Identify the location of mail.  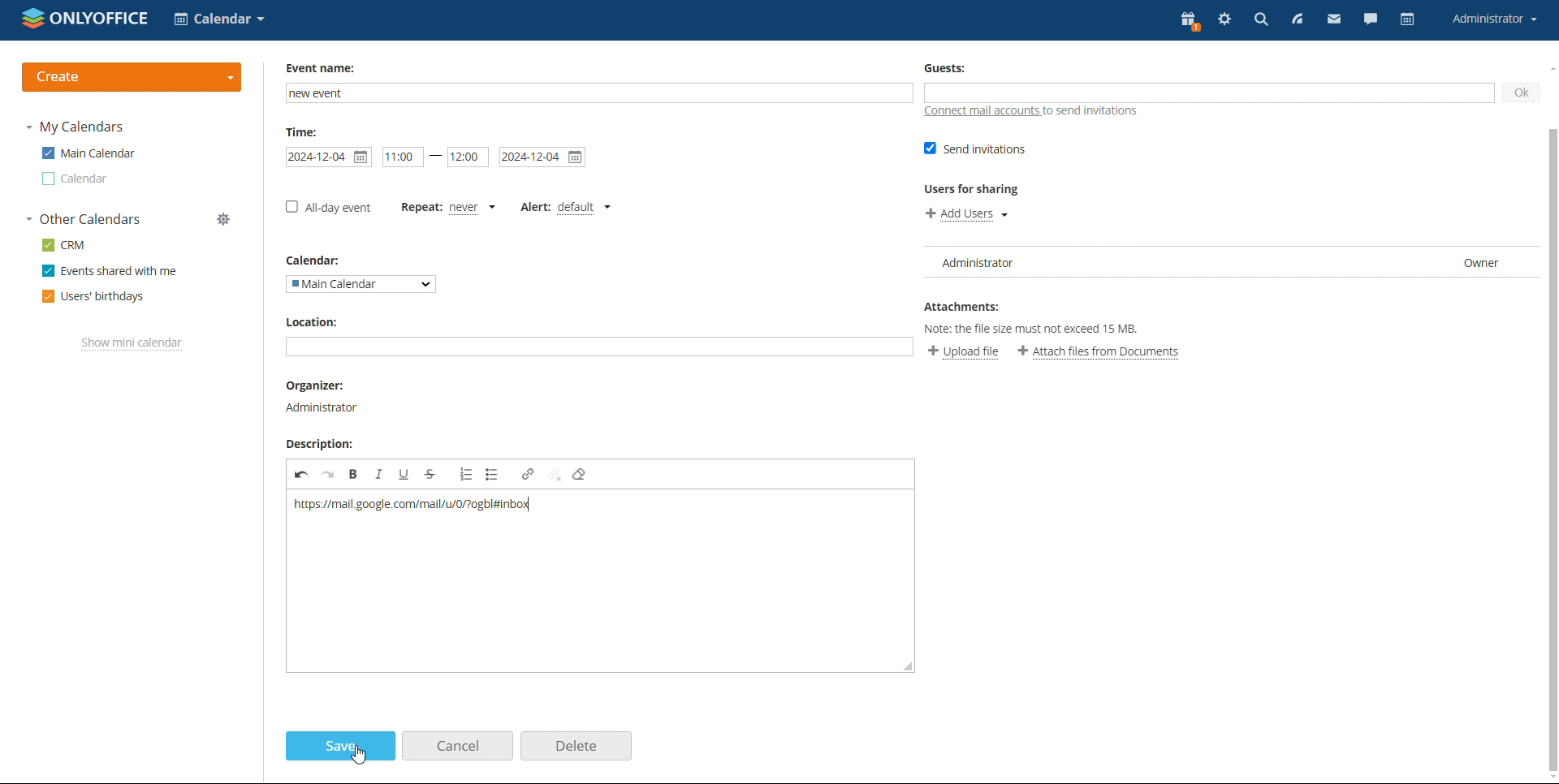
(1333, 21).